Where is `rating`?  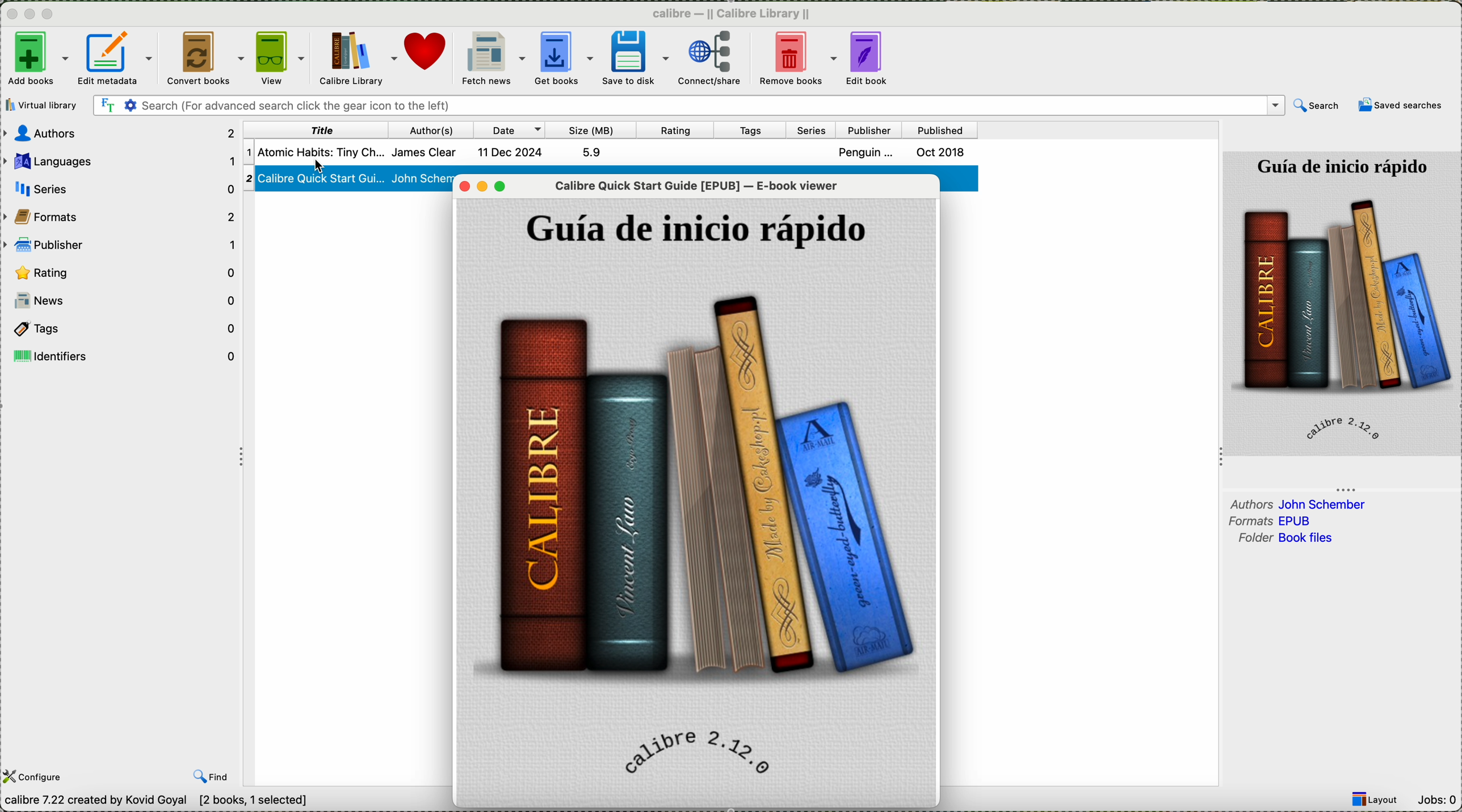 rating is located at coordinates (678, 131).